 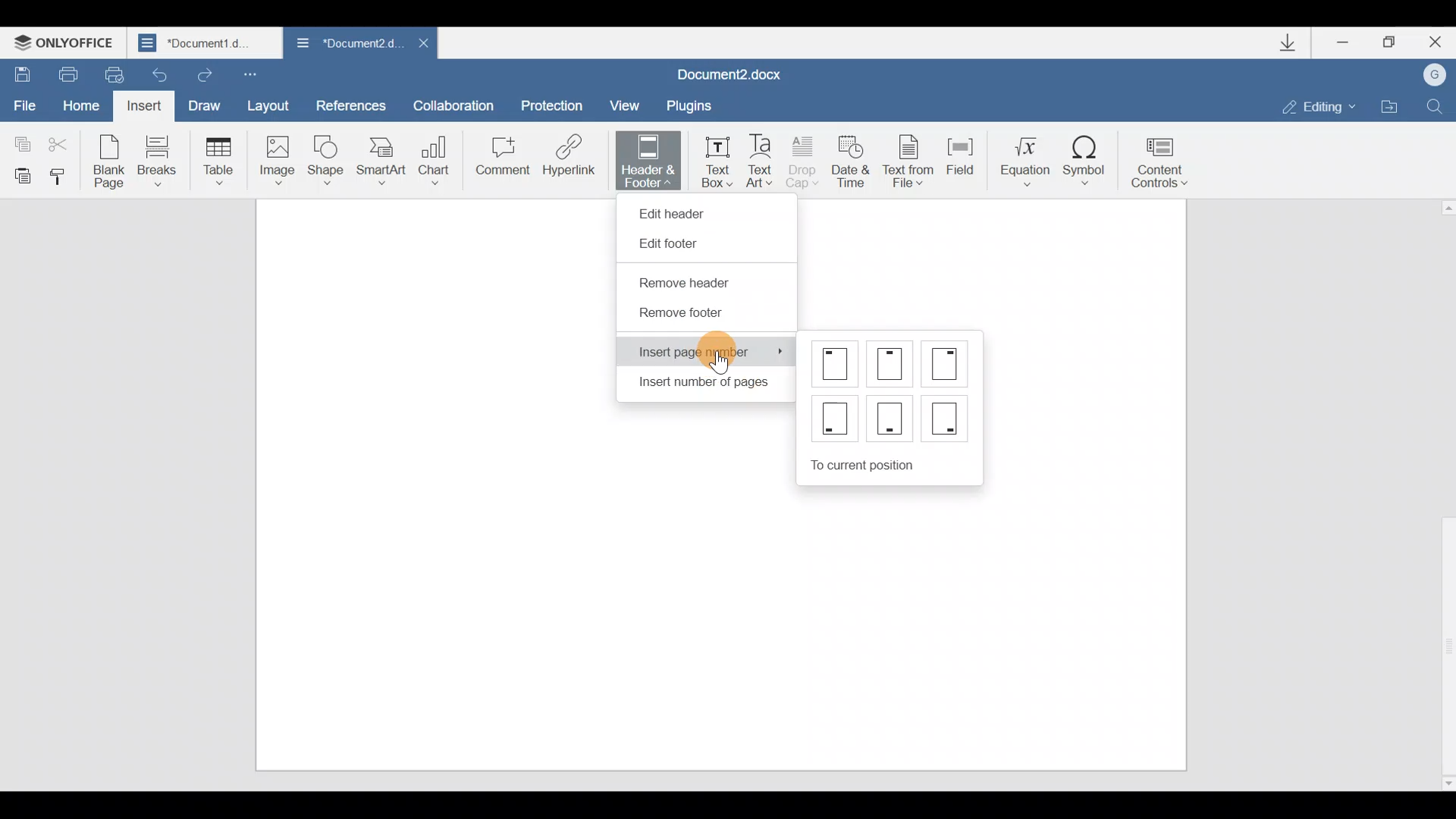 I want to click on Position 4, so click(x=833, y=420).